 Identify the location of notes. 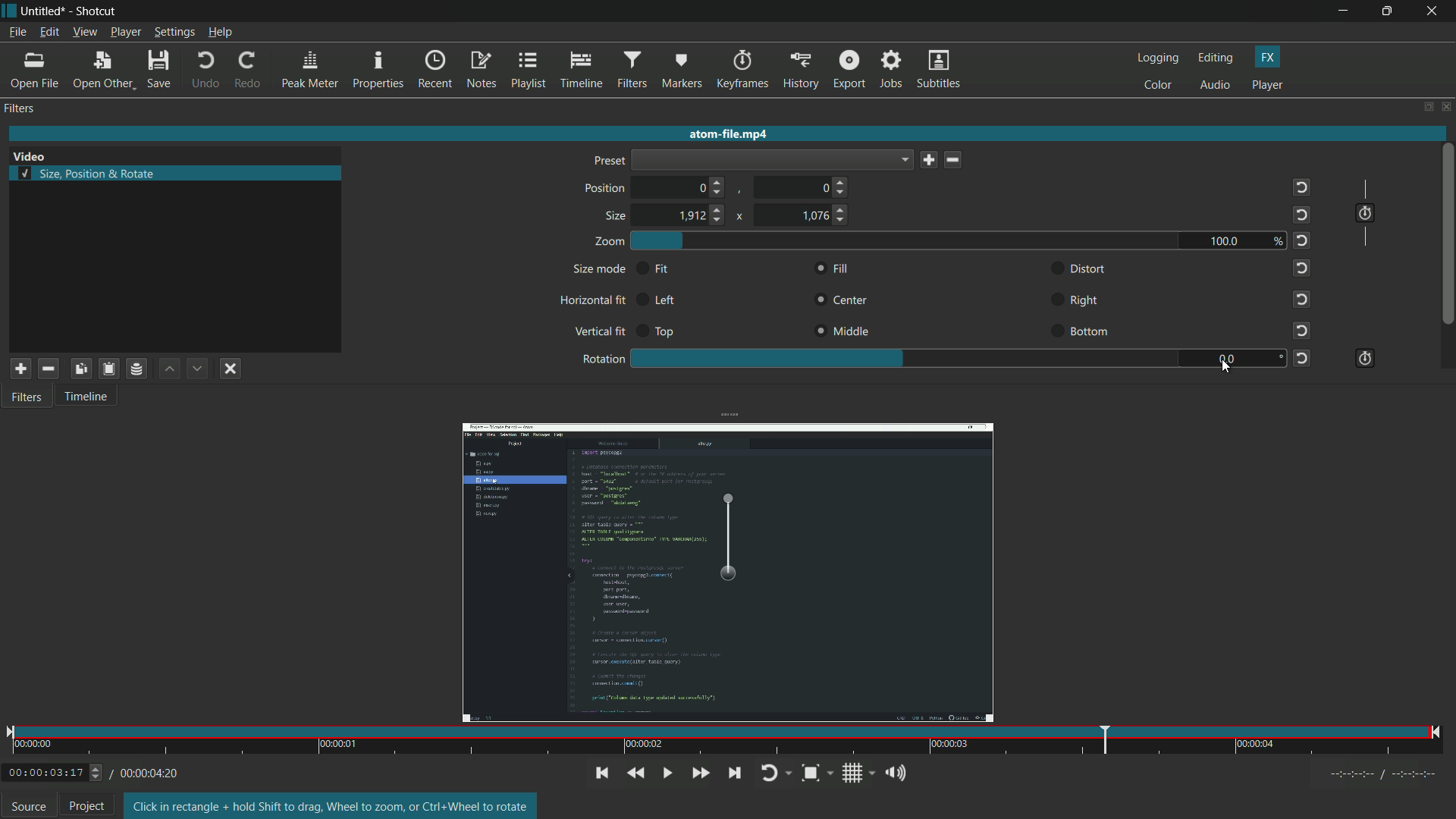
(480, 71).